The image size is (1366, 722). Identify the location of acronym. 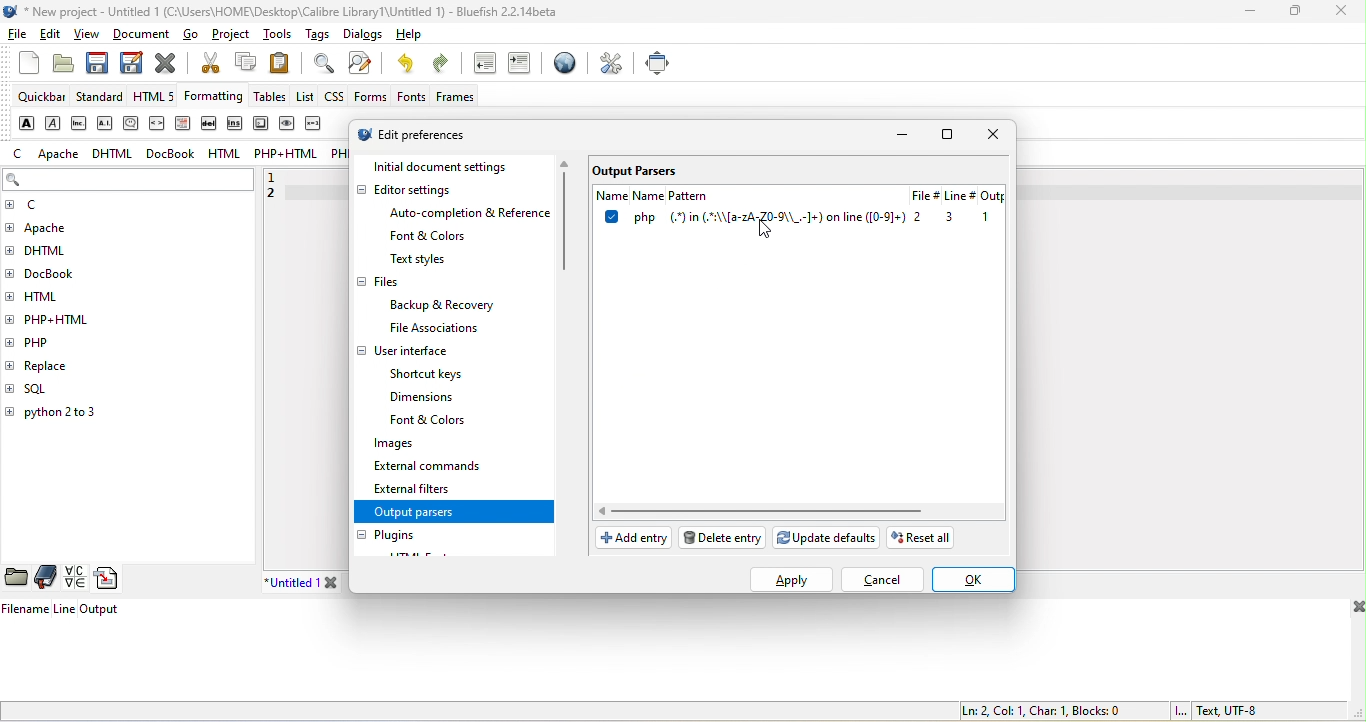
(107, 123).